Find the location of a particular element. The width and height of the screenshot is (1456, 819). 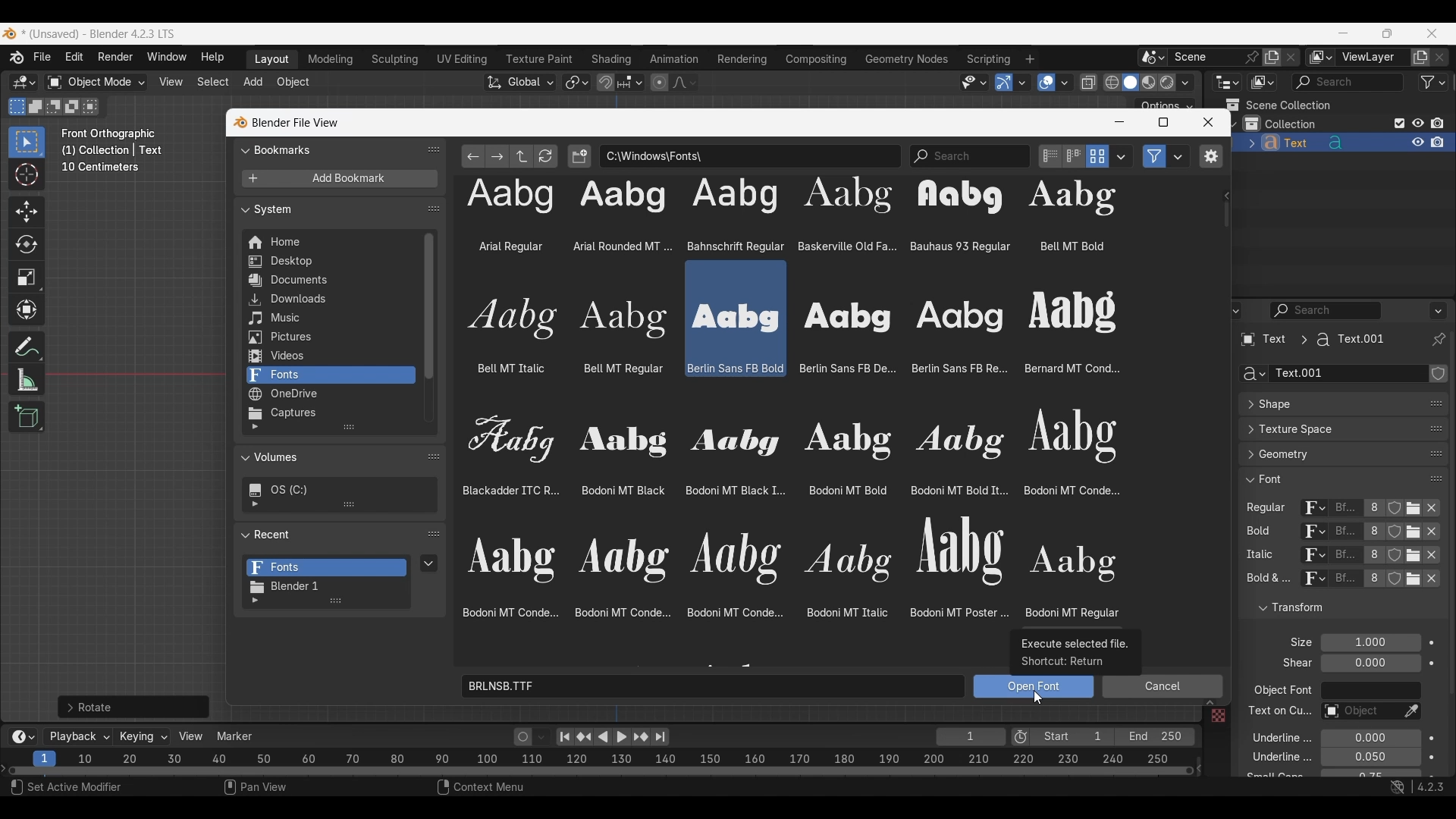

pan view is located at coordinates (273, 789).